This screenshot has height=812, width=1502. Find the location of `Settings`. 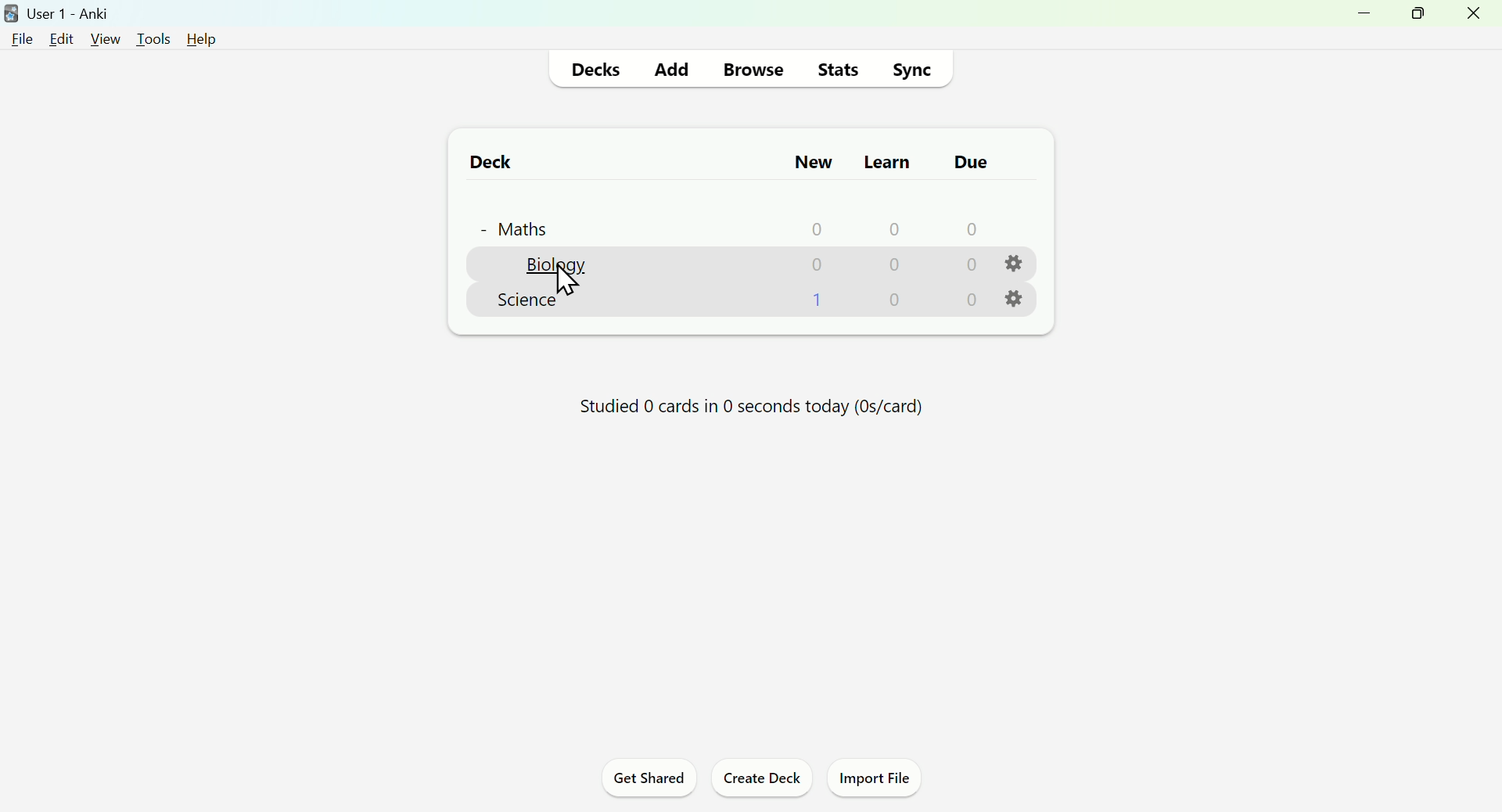

Settings is located at coordinates (1018, 300).